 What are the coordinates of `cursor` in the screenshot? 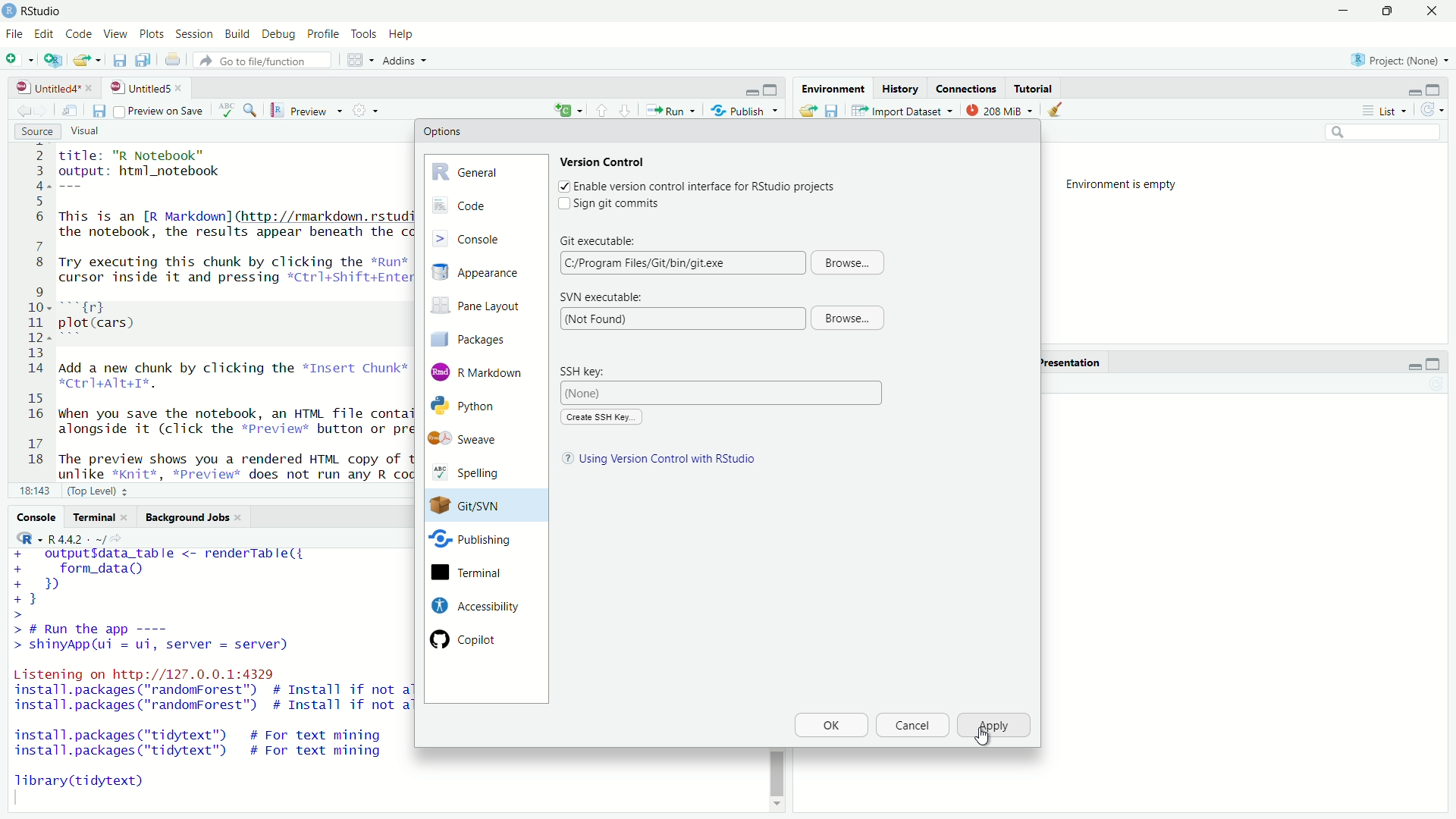 It's located at (982, 738).